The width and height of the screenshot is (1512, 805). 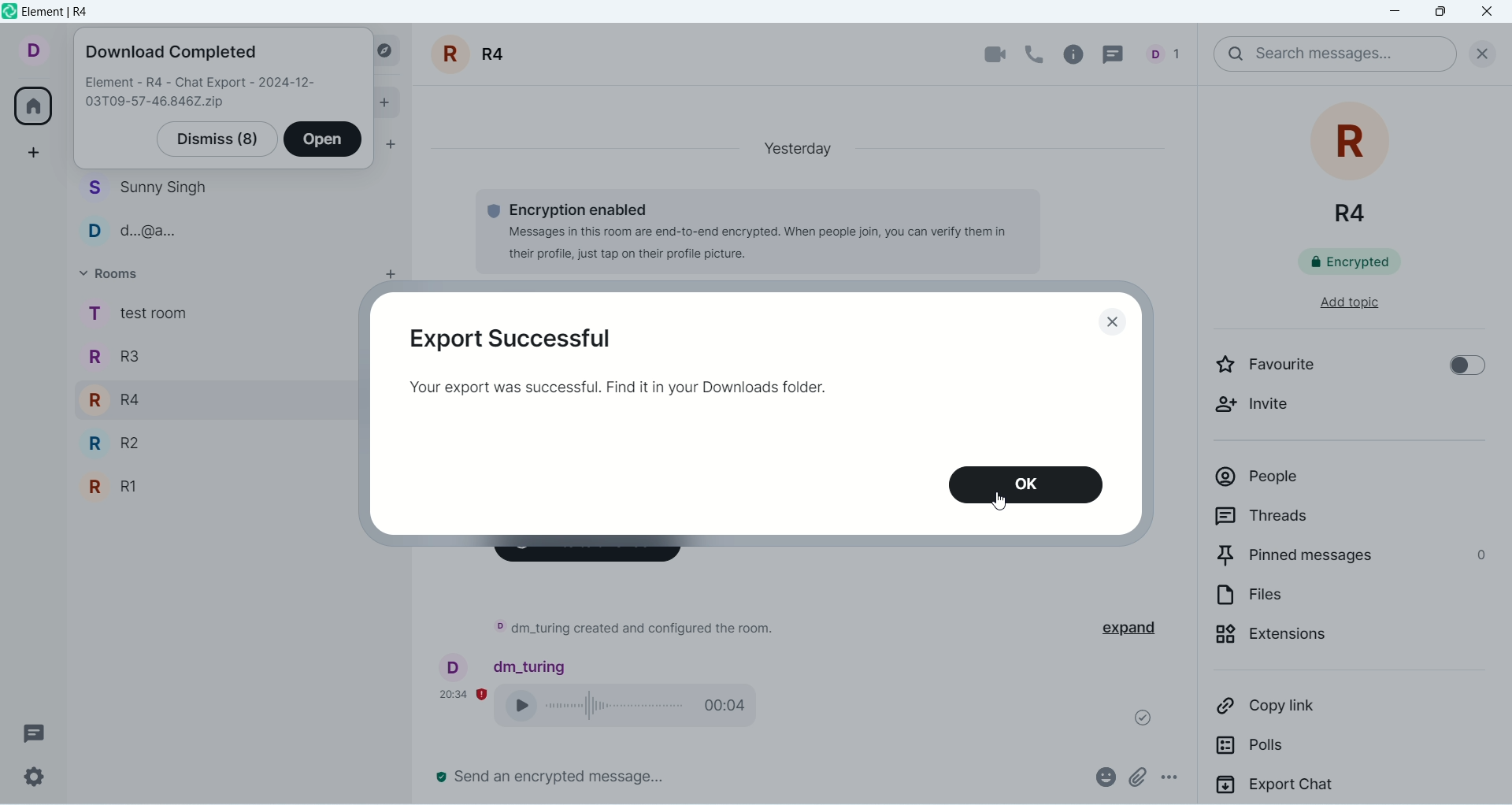 What do you see at coordinates (1313, 599) in the screenshot?
I see `files` at bounding box center [1313, 599].